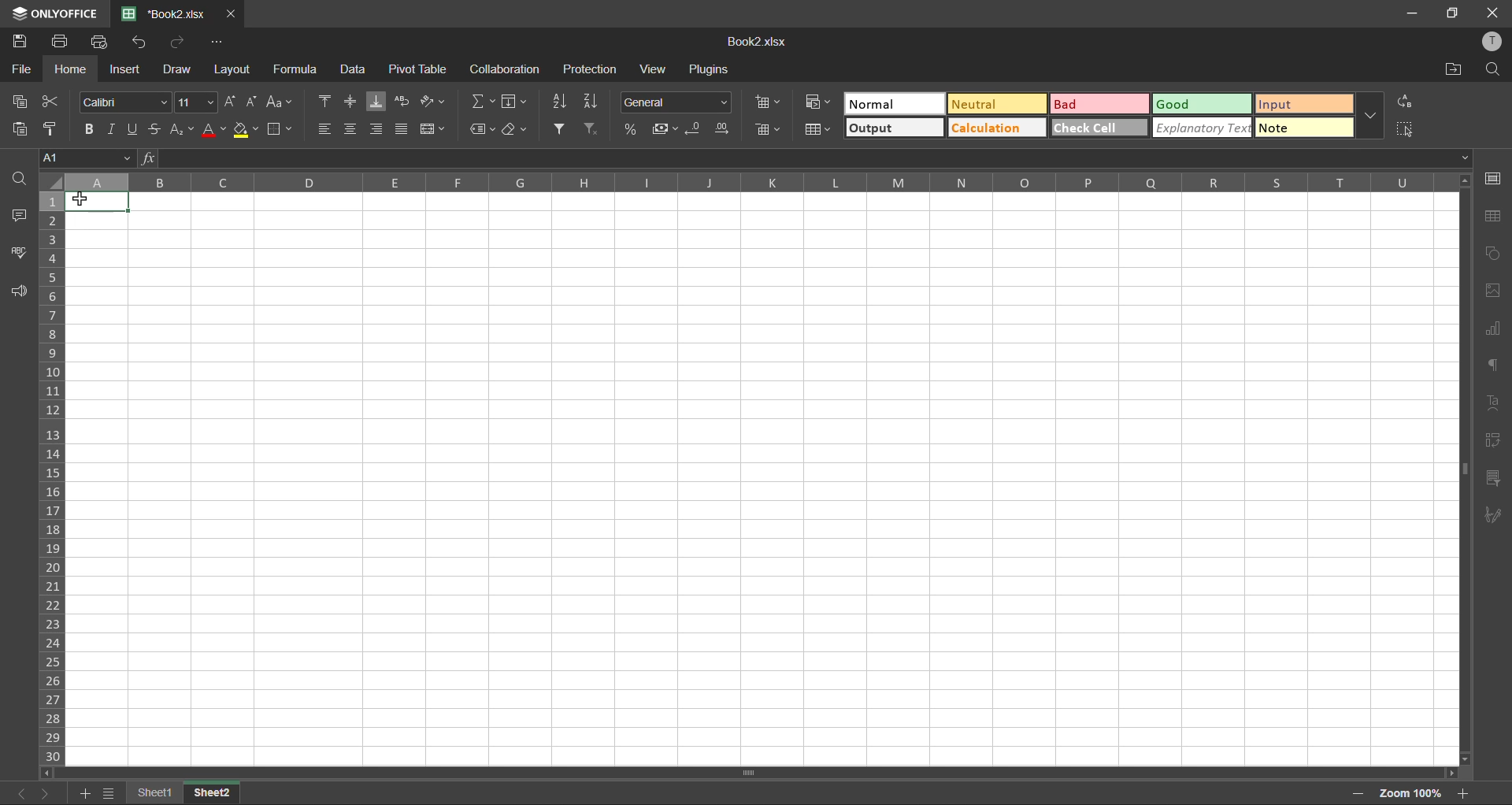 The width and height of the screenshot is (1512, 805). Describe the element at coordinates (995, 128) in the screenshot. I see `calculation` at that location.